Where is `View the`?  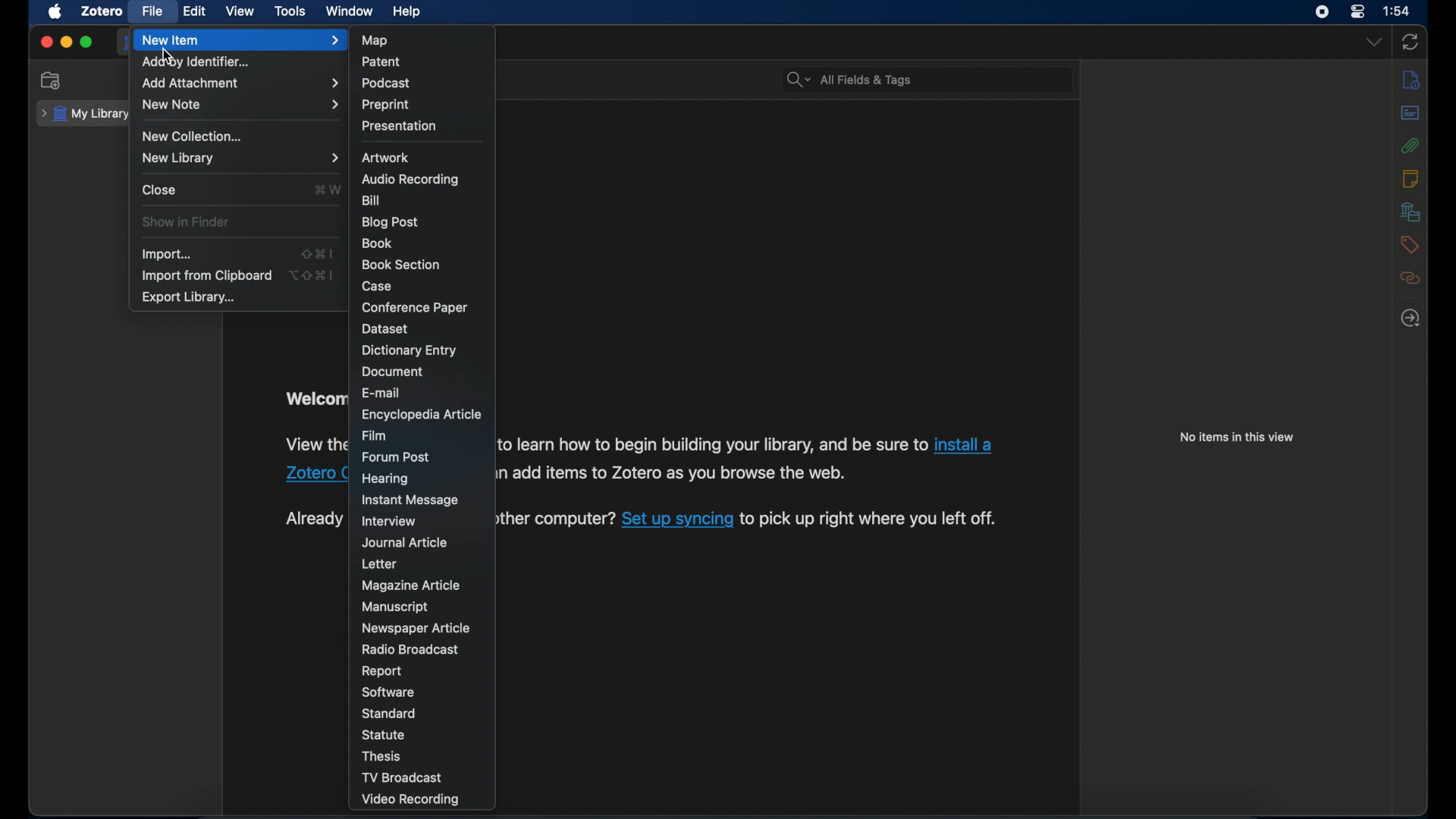
View the is located at coordinates (317, 443).